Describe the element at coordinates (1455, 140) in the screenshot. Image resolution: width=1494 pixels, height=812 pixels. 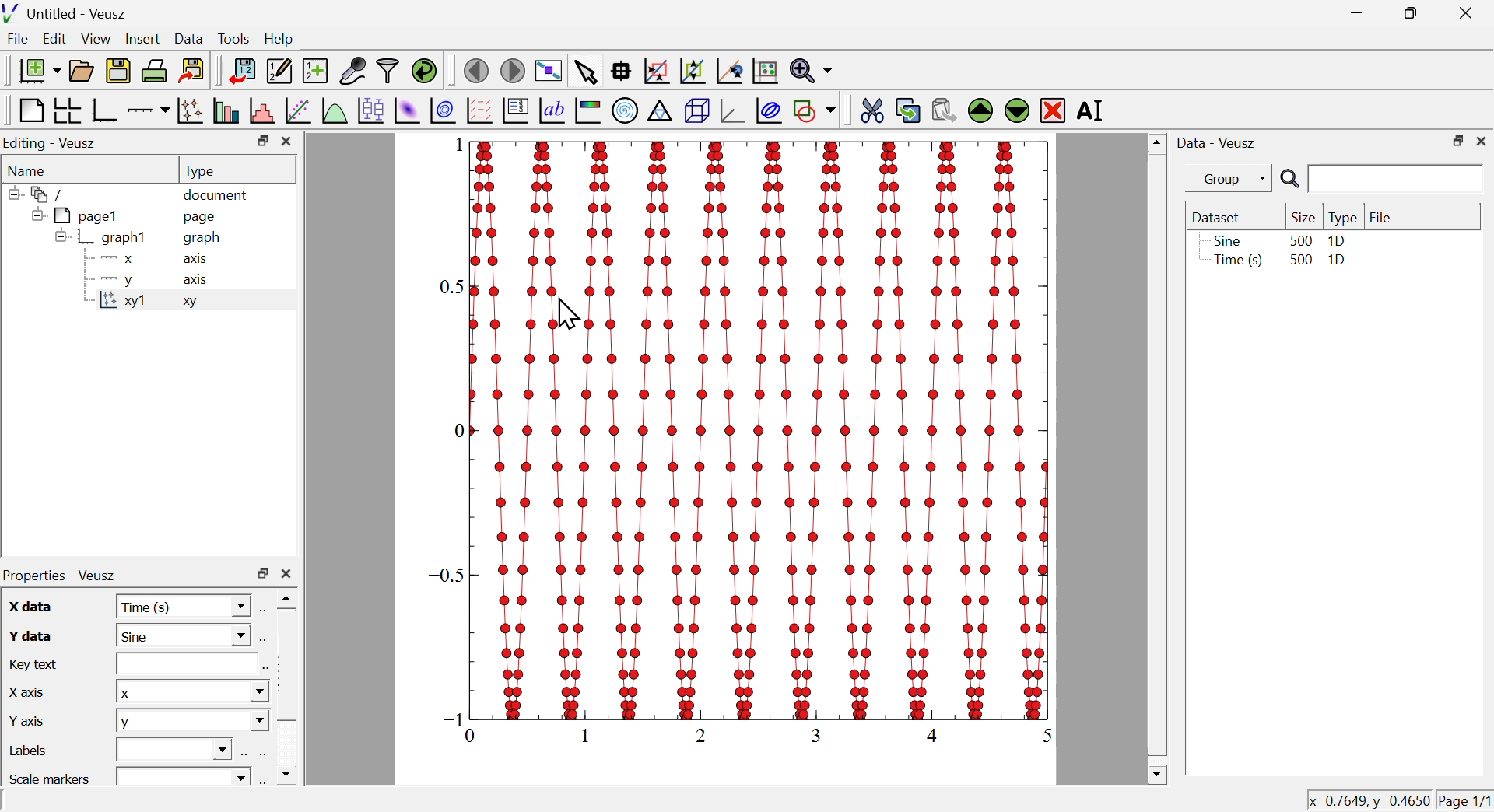
I see `maximize` at that location.